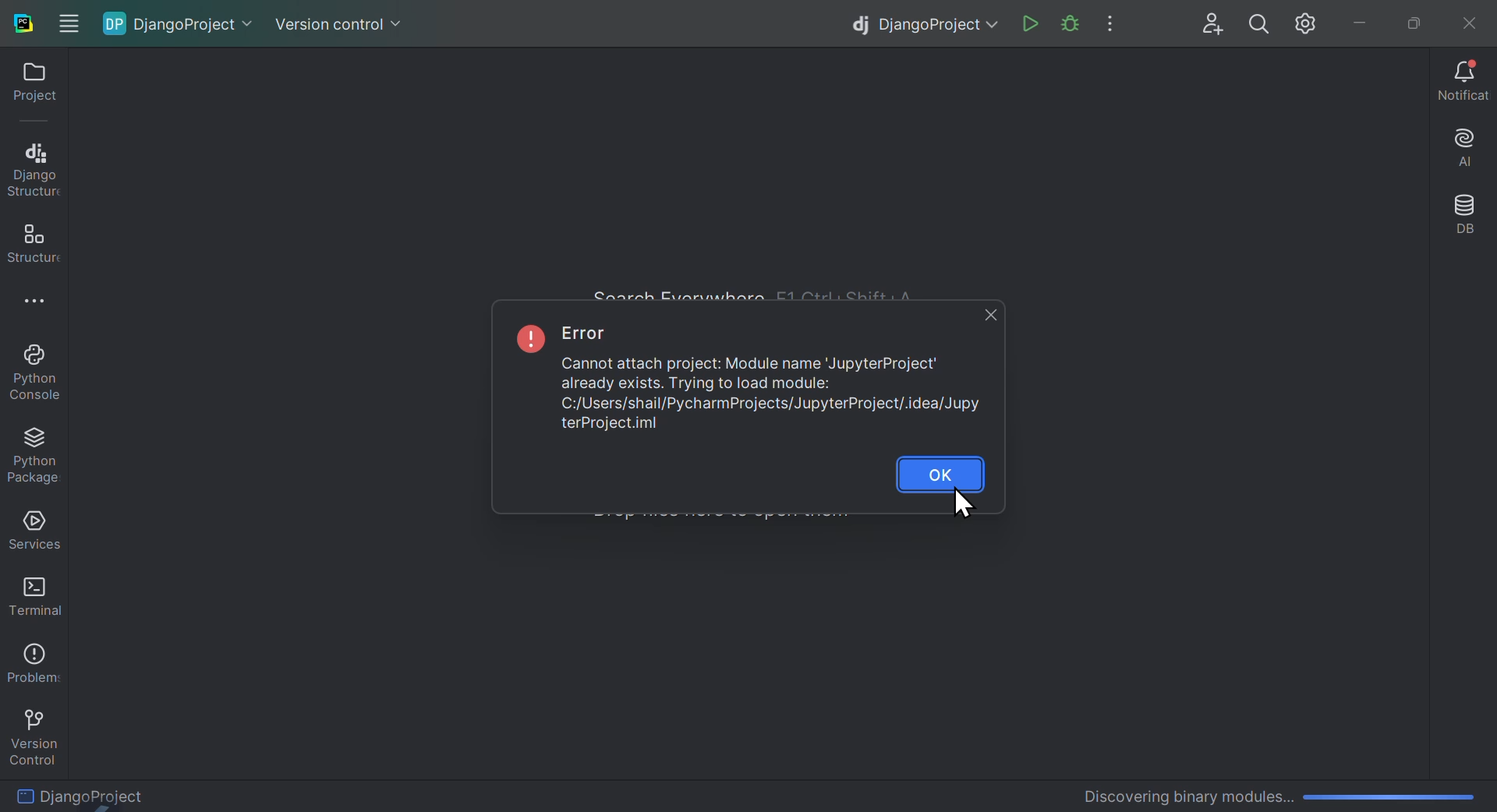  What do you see at coordinates (763, 416) in the screenshot?
I see `Error File path` at bounding box center [763, 416].